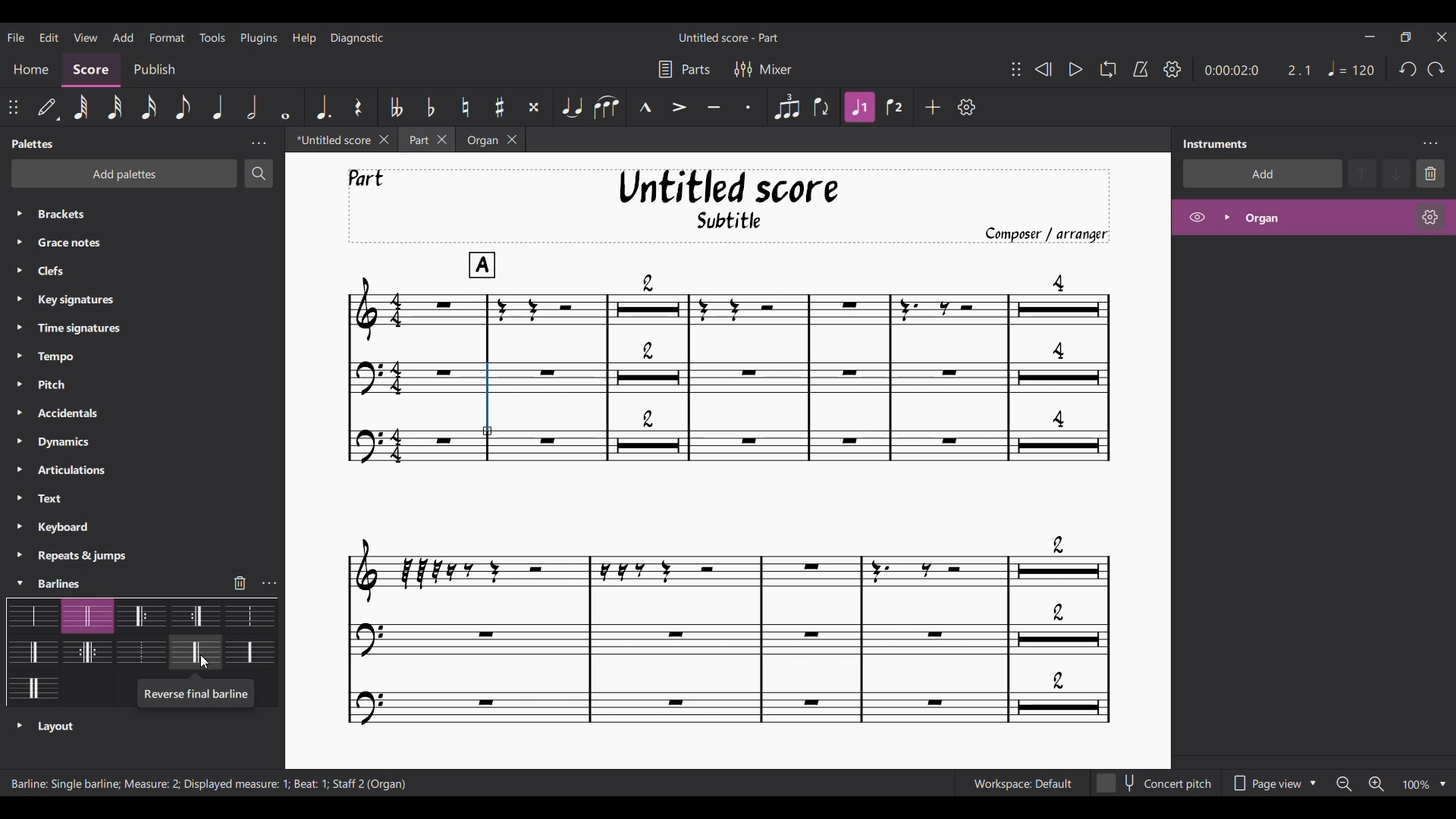 The width and height of the screenshot is (1456, 819). Describe the element at coordinates (330, 140) in the screenshot. I see `Untitled tab` at that location.